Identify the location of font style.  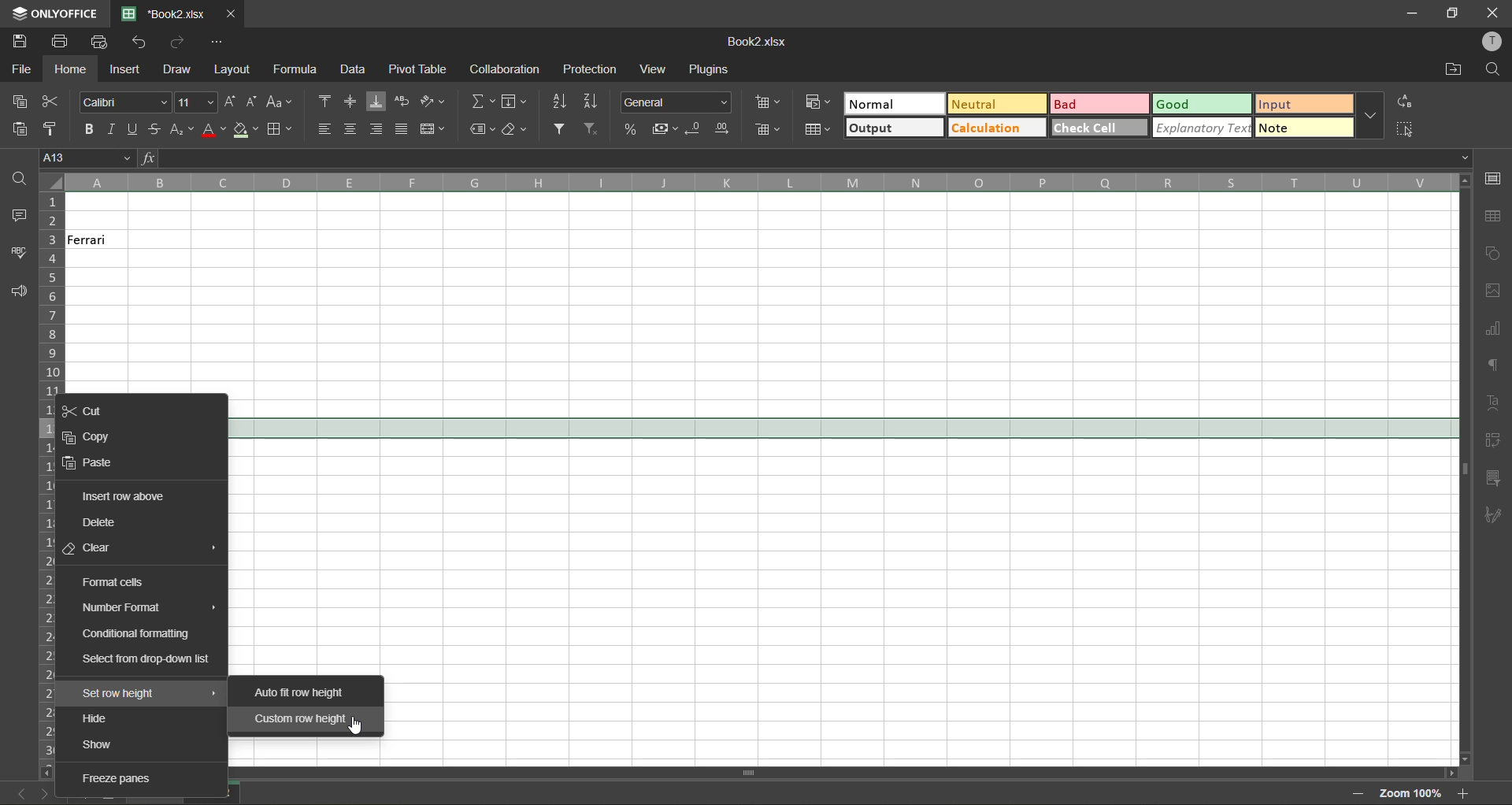
(122, 103).